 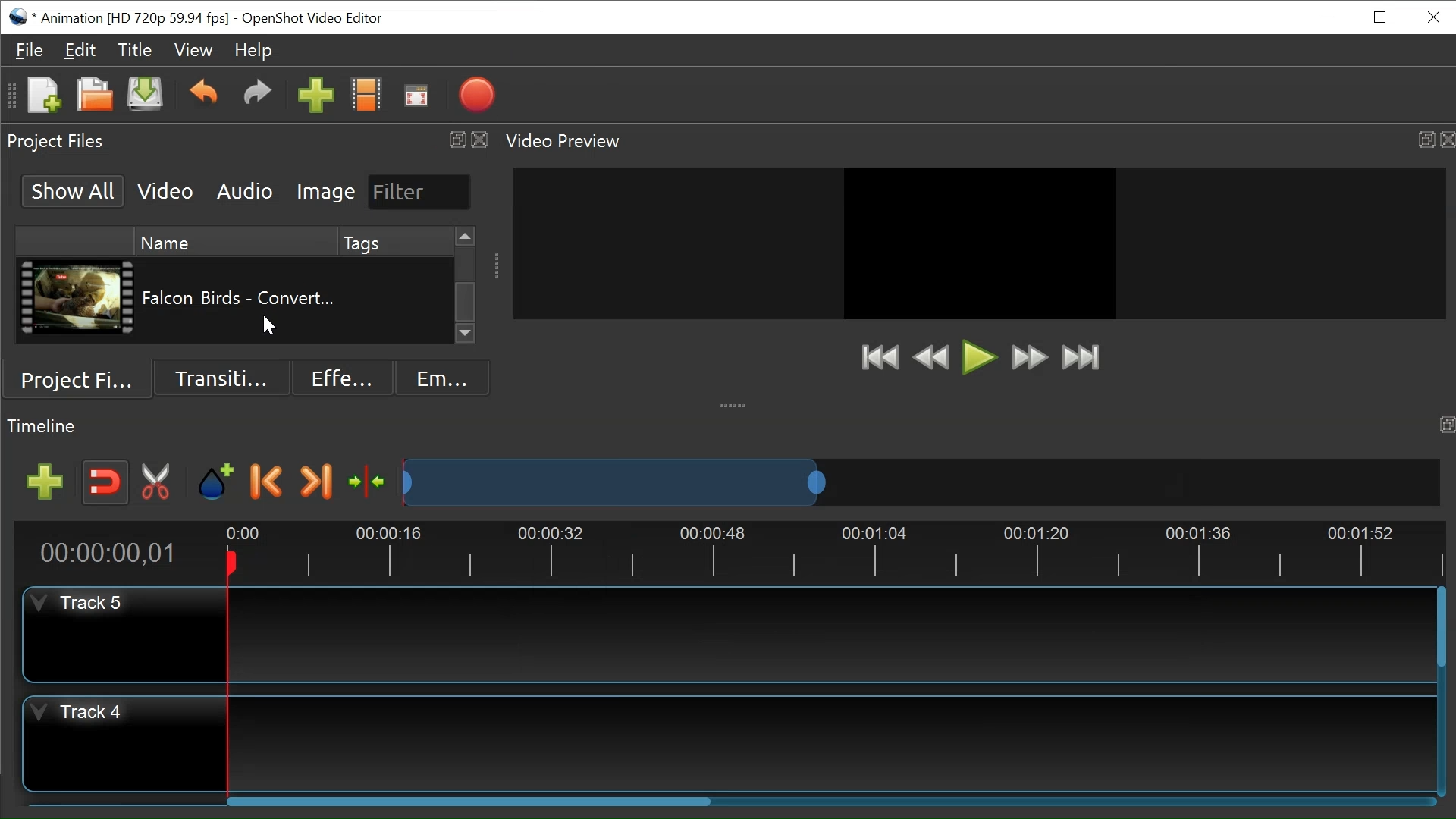 What do you see at coordinates (1447, 426) in the screenshot?
I see `Maximize` at bounding box center [1447, 426].